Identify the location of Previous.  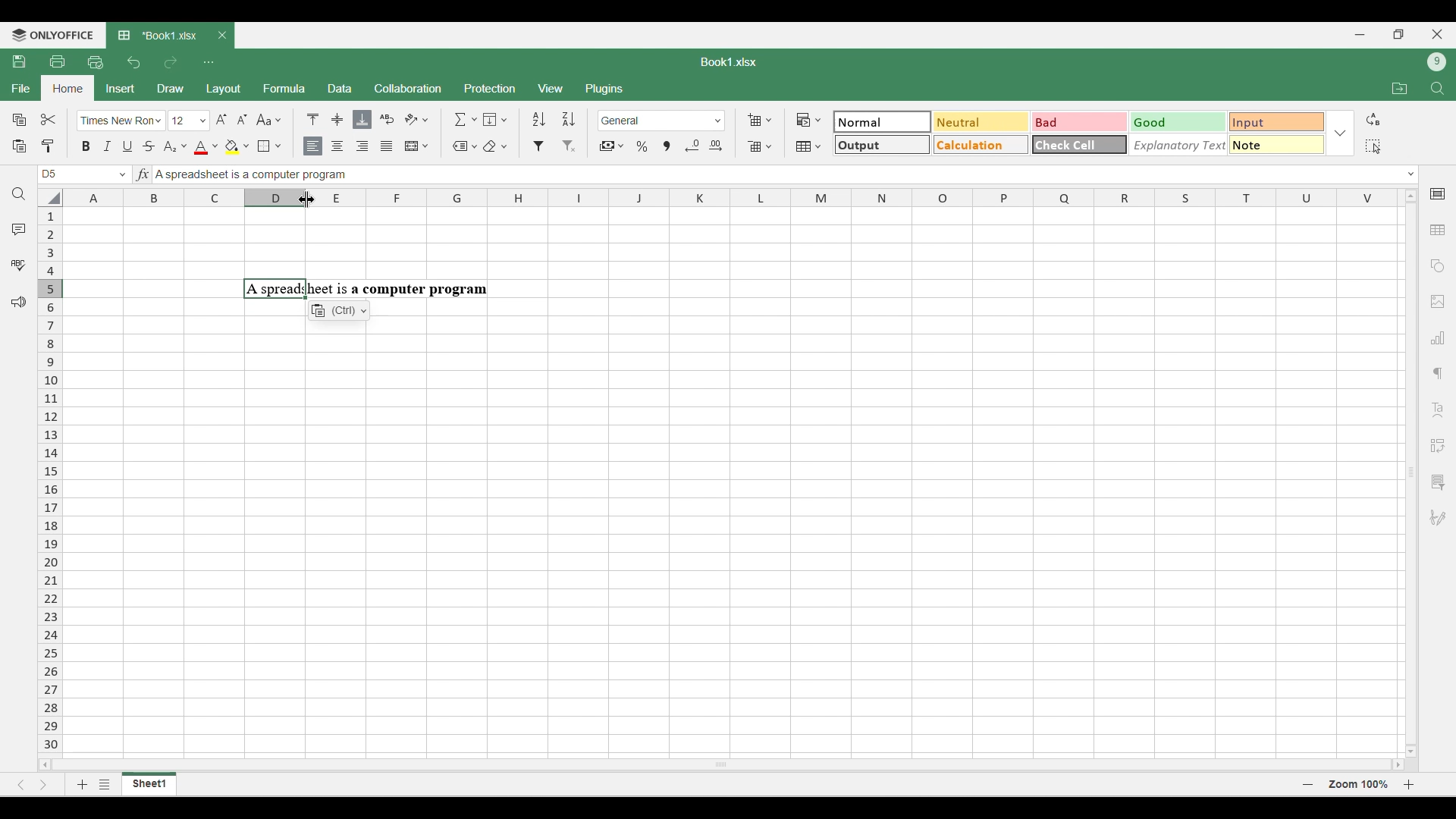
(20, 785).